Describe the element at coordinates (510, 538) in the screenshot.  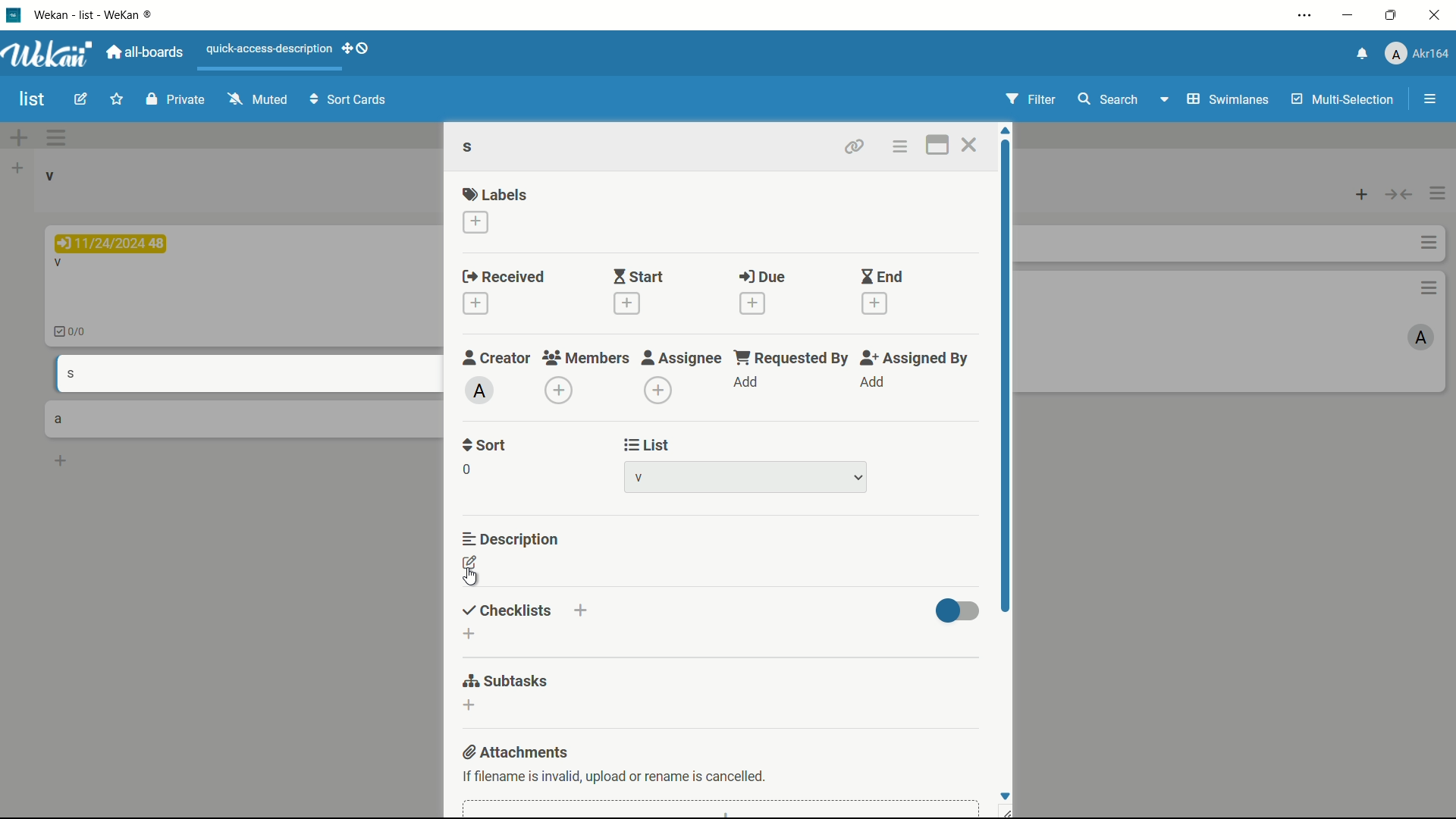
I see `description` at that location.